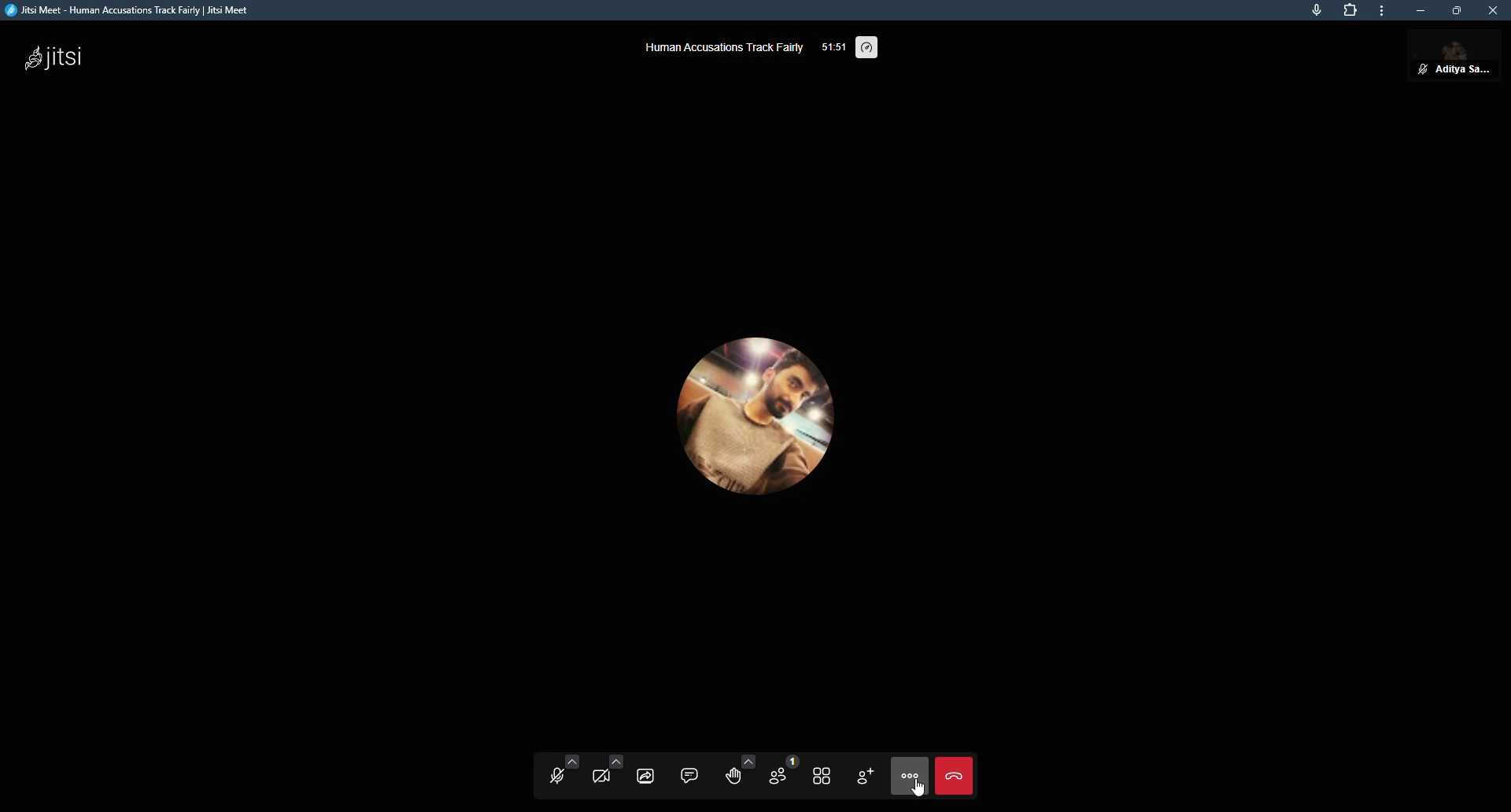 The image size is (1511, 812). I want to click on human accusations track fairly, so click(726, 46).